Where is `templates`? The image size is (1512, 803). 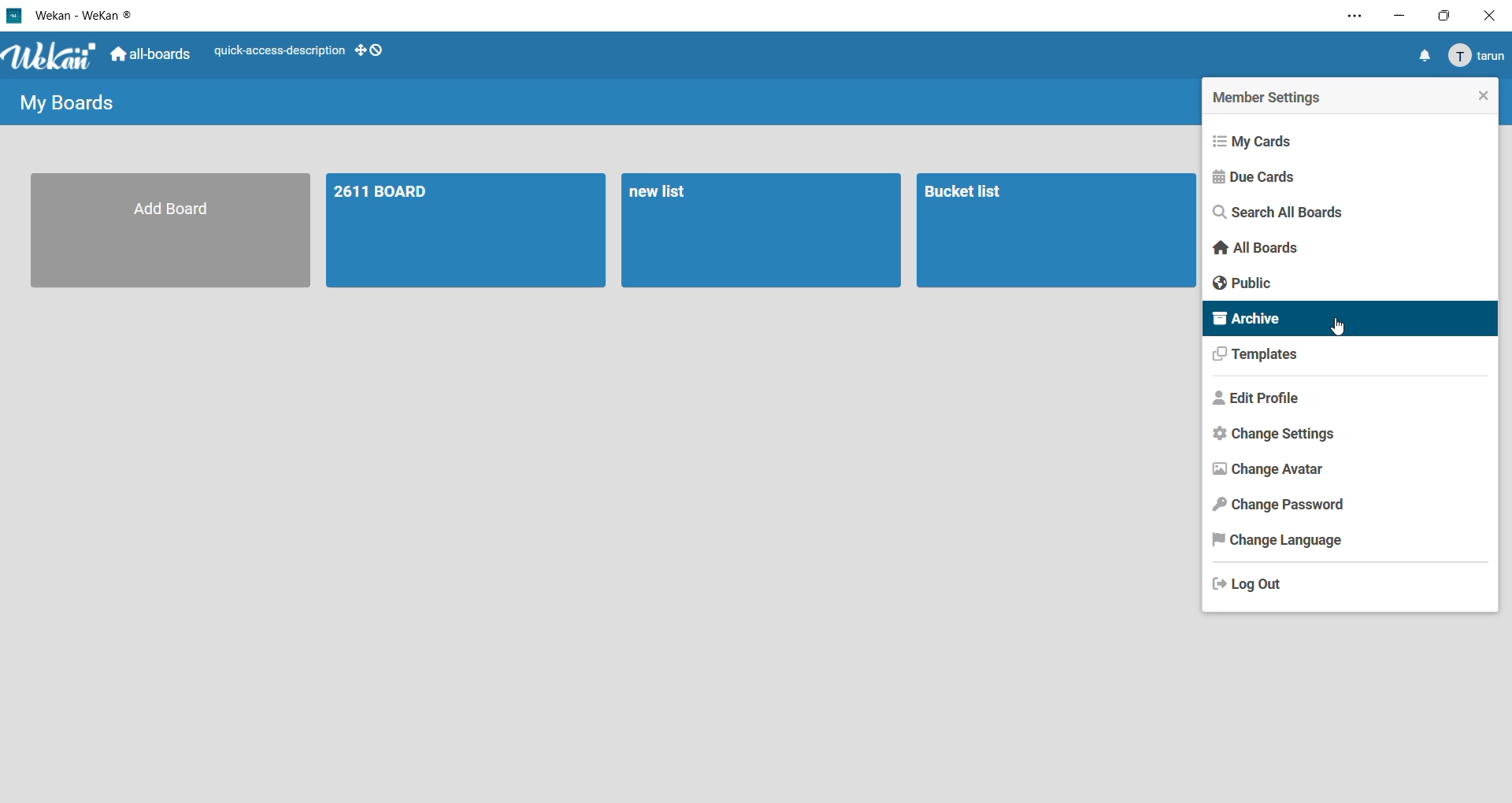
templates is located at coordinates (1254, 356).